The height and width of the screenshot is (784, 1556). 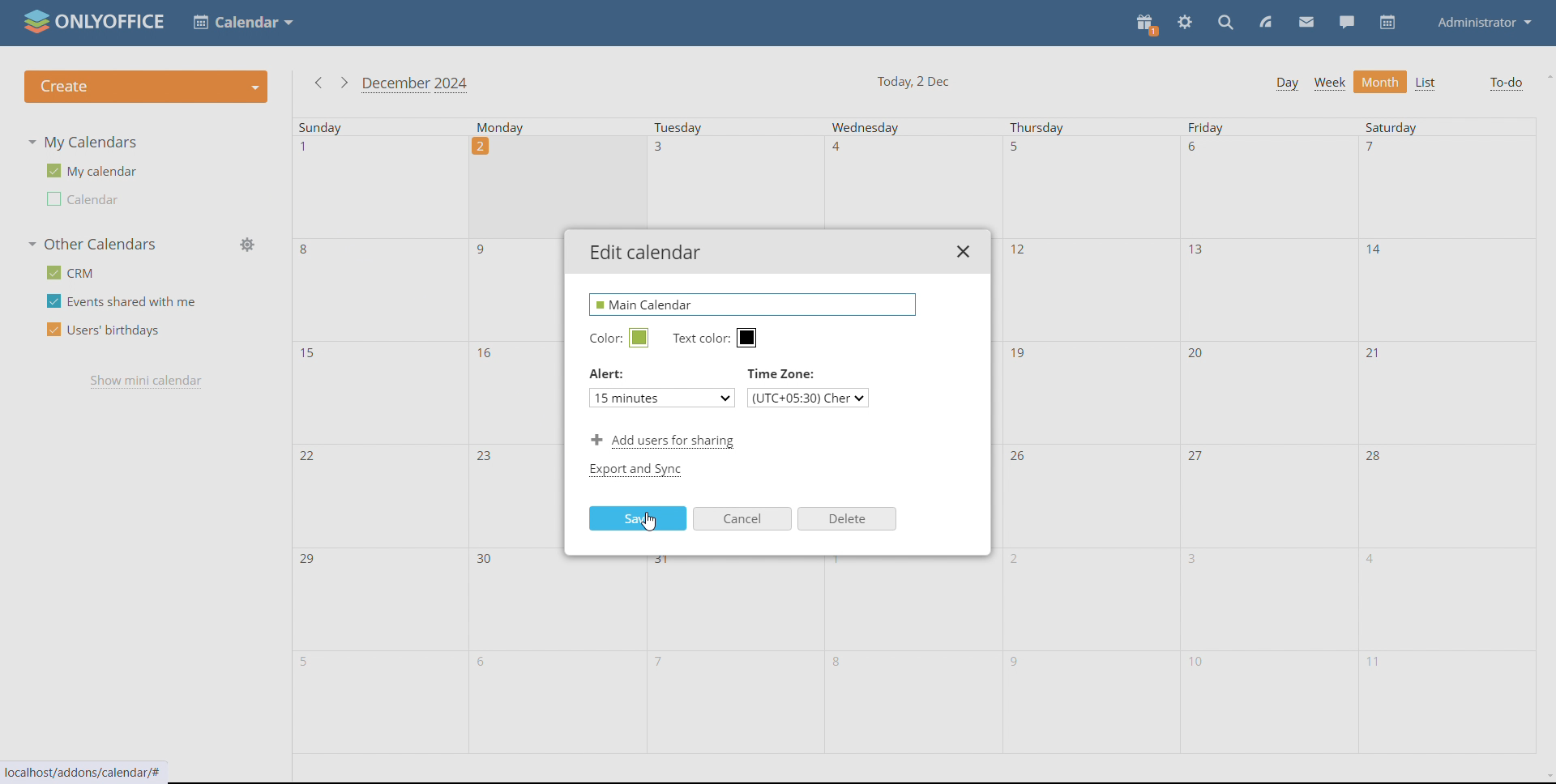 I want to click on month view, so click(x=1379, y=81).